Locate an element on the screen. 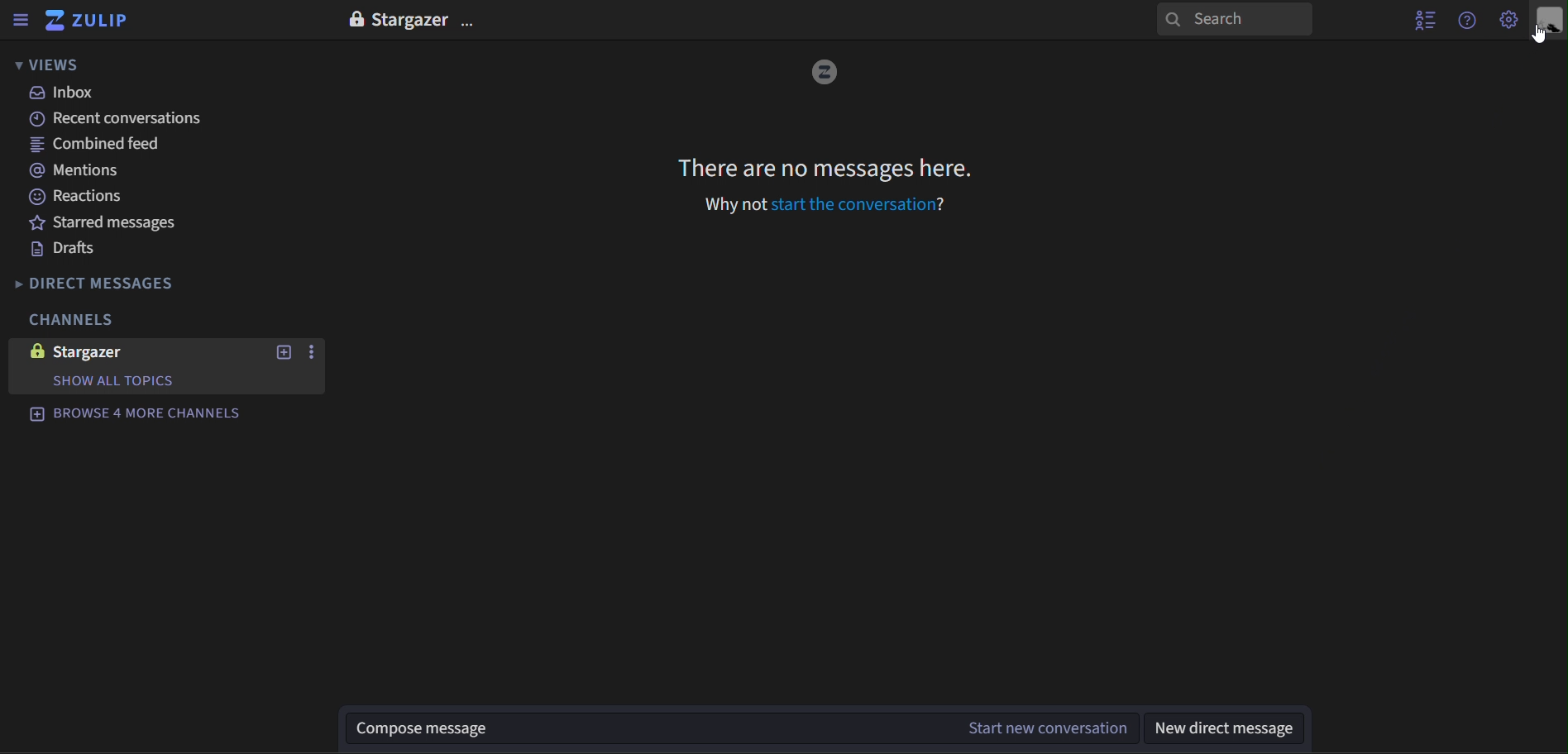 This screenshot has width=1568, height=754. reactions is located at coordinates (79, 199).